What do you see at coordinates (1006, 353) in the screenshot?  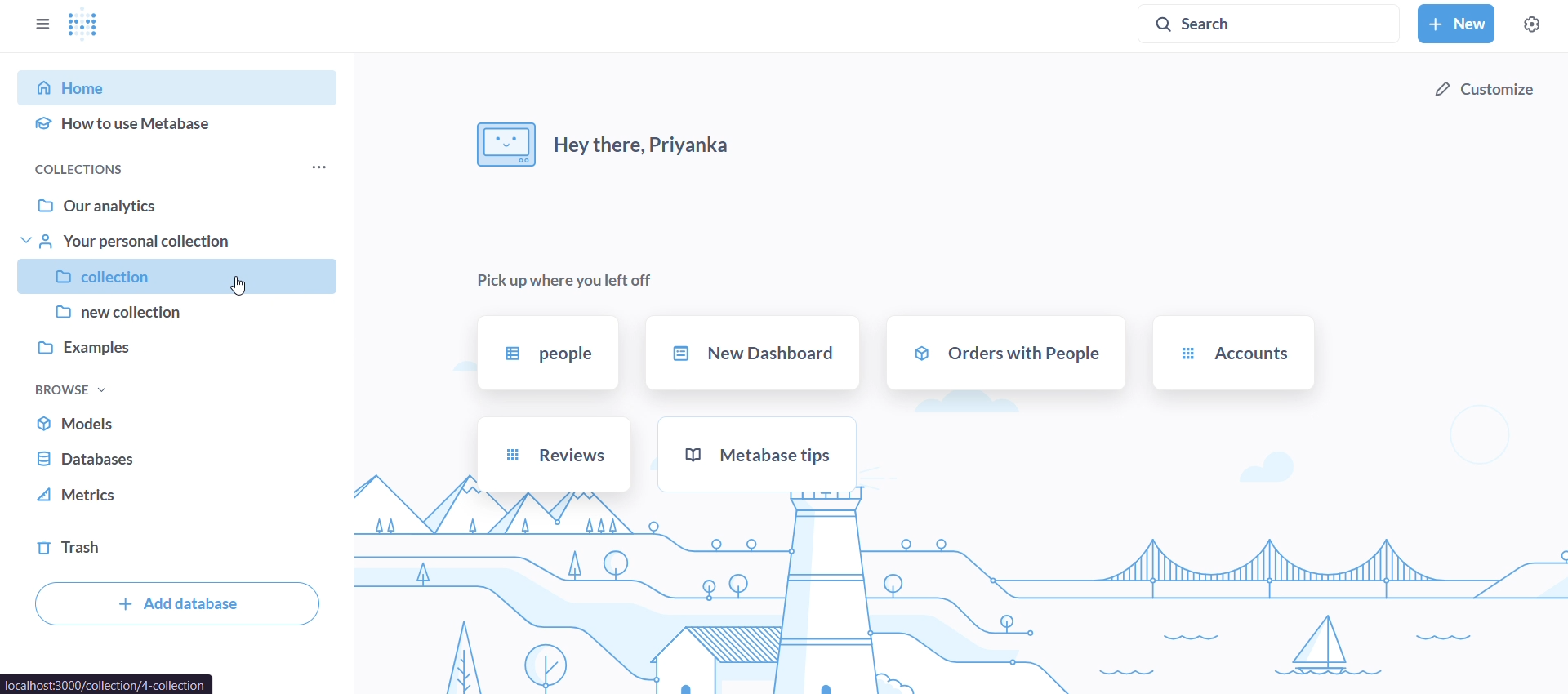 I see `orders with people` at bounding box center [1006, 353].